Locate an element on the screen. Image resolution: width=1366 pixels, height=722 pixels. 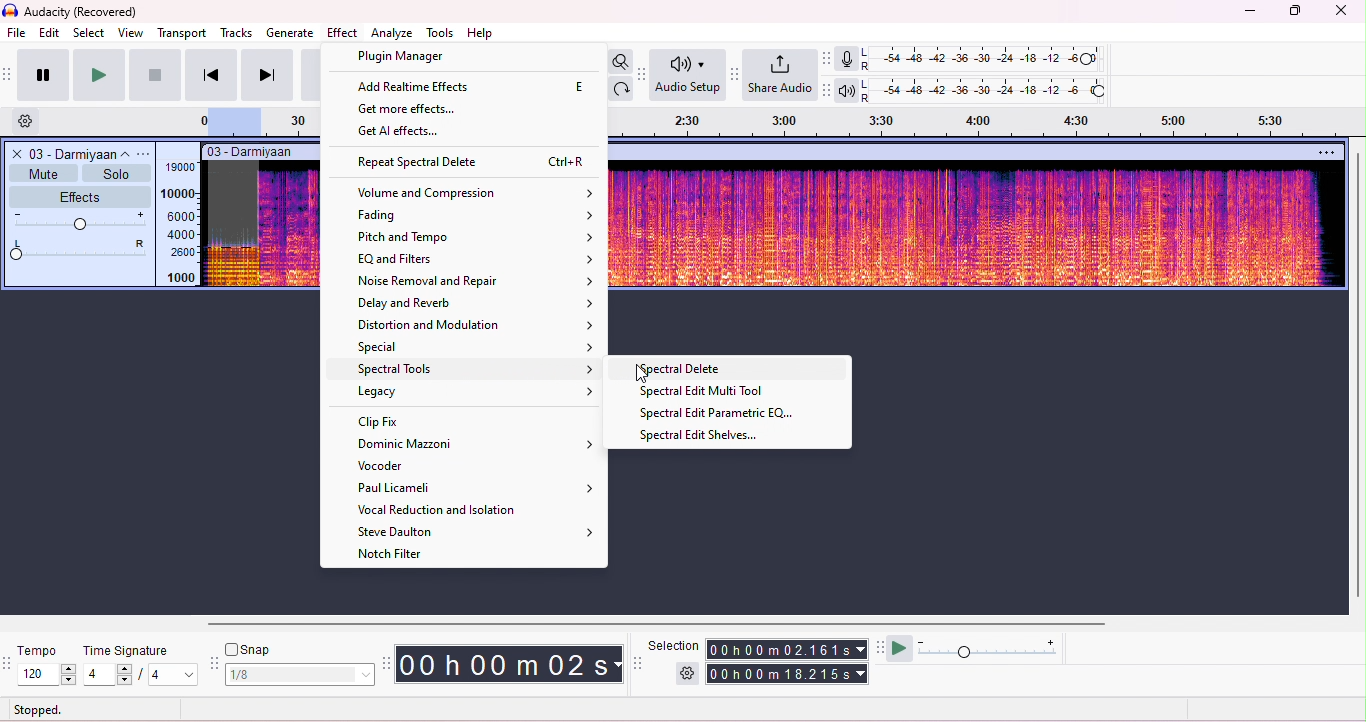
mute is located at coordinates (44, 172).